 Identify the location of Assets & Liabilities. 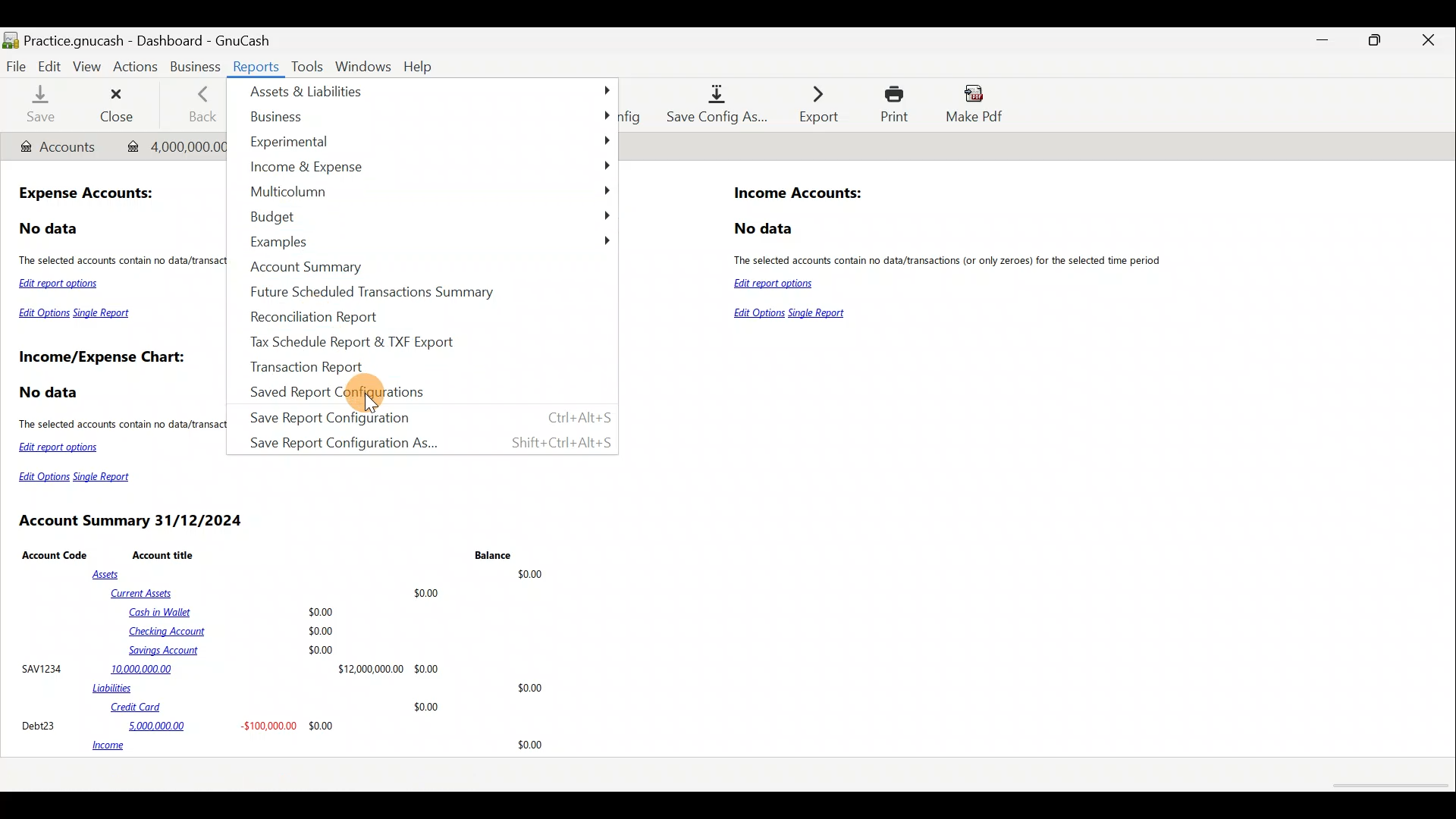
(431, 93).